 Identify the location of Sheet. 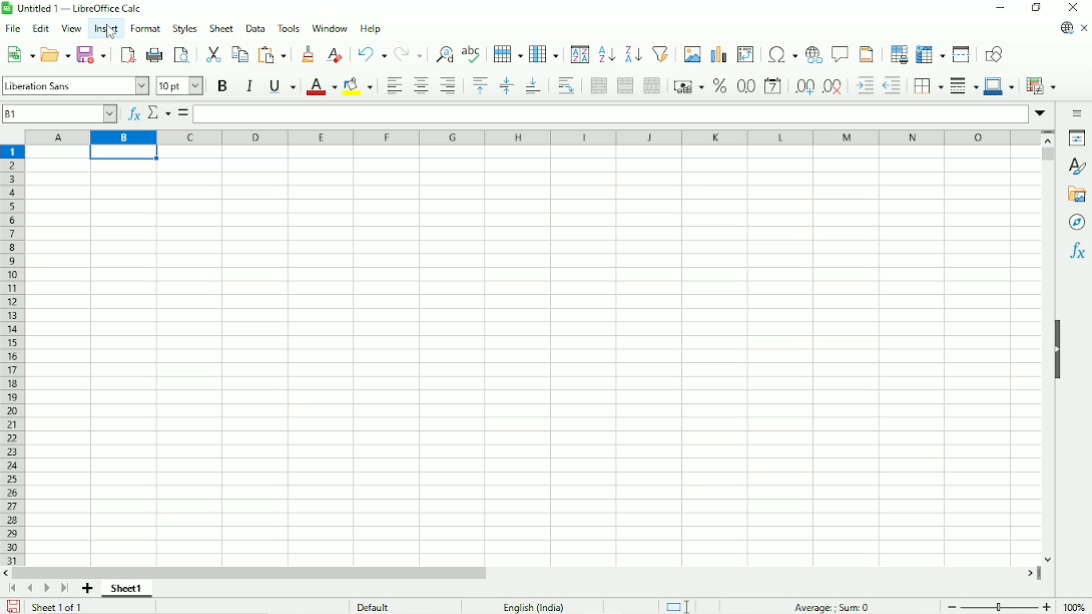
(222, 28).